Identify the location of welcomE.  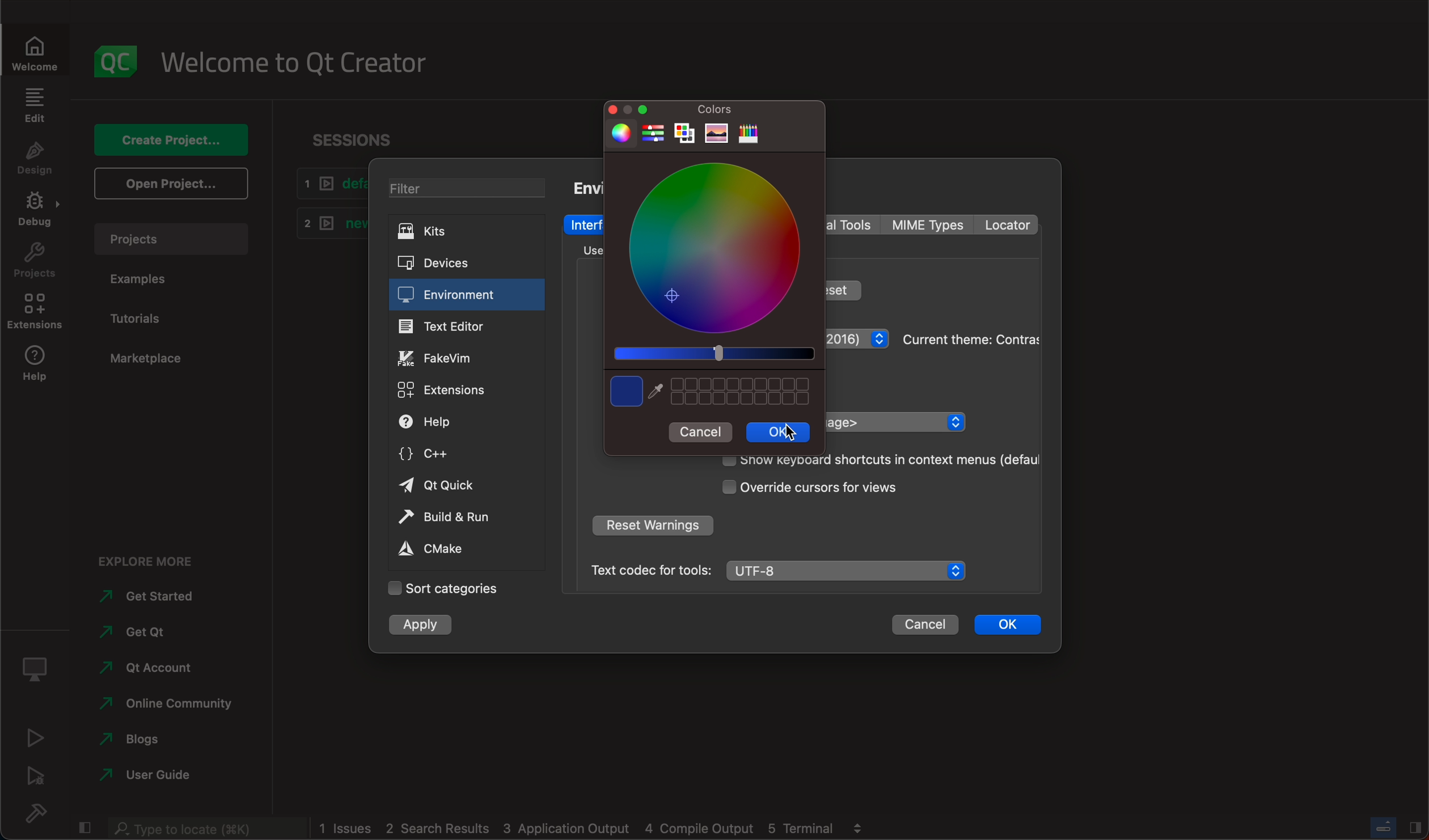
(302, 58).